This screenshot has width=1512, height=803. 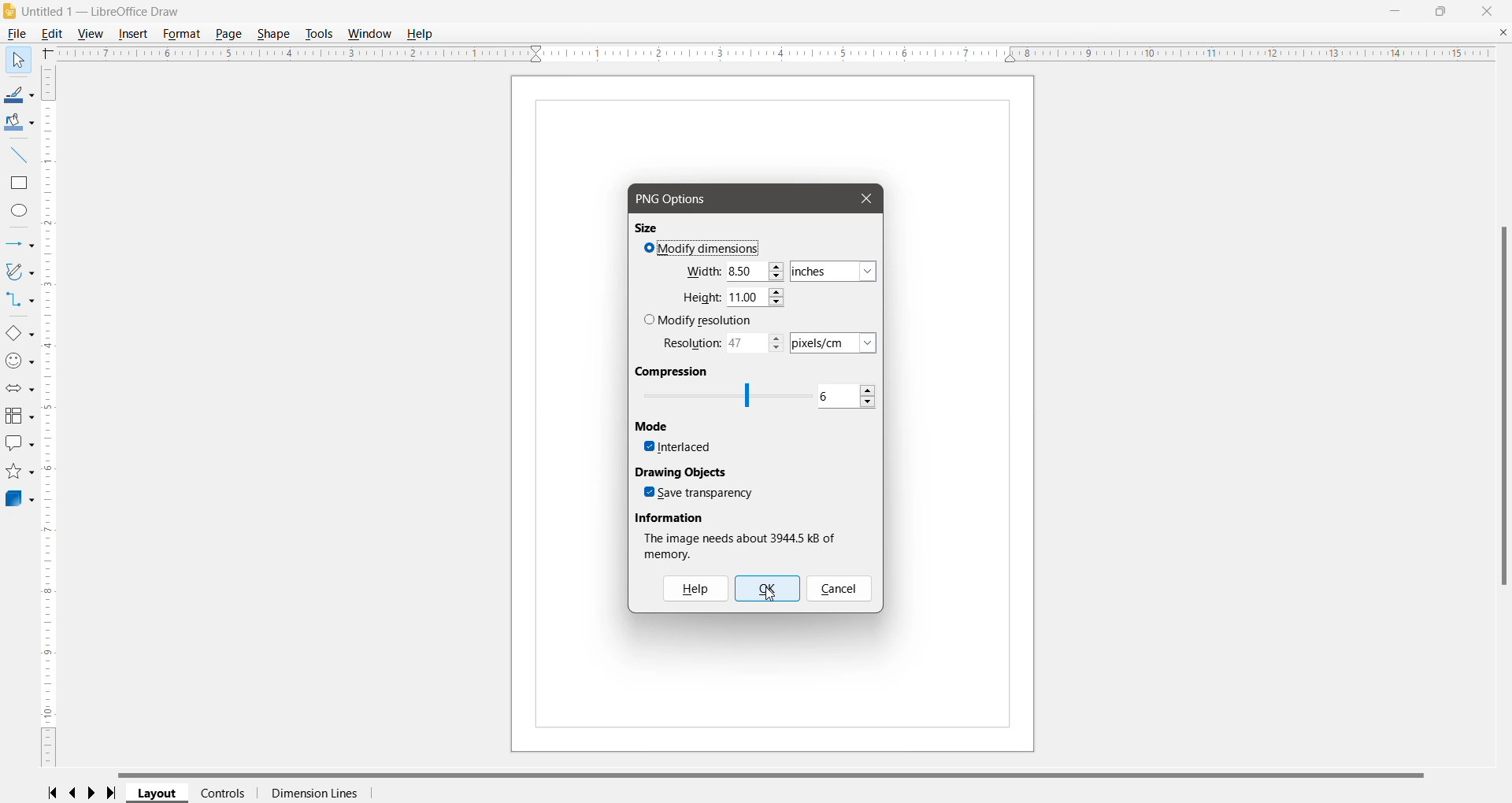 What do you see at coordinates (313, 794) in the screenshot?
I see `Dimension Lines` at bounding box center [313, 794].